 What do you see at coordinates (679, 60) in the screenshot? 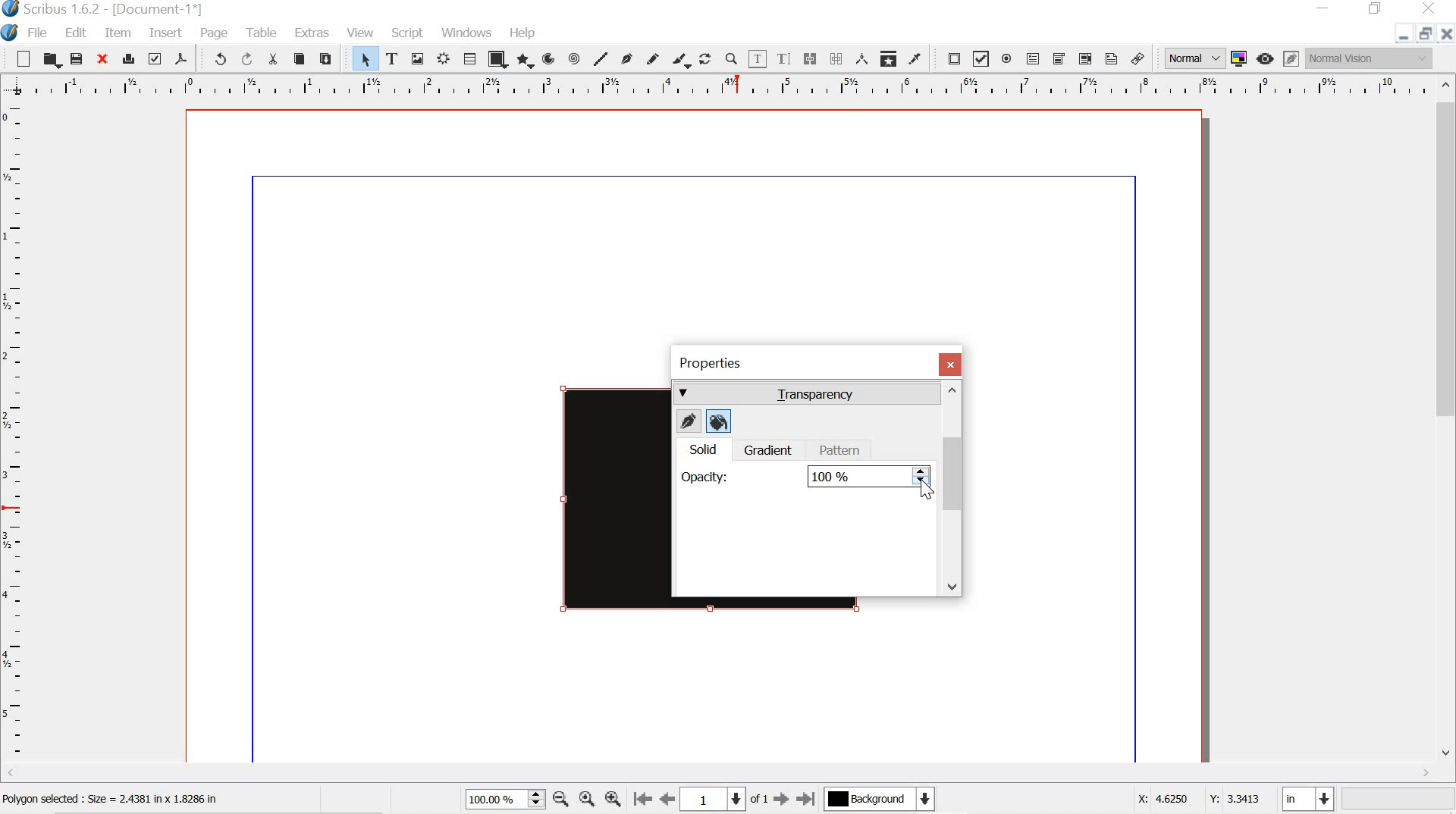
I see `calligraphic line` at bounding box center [679, 60].